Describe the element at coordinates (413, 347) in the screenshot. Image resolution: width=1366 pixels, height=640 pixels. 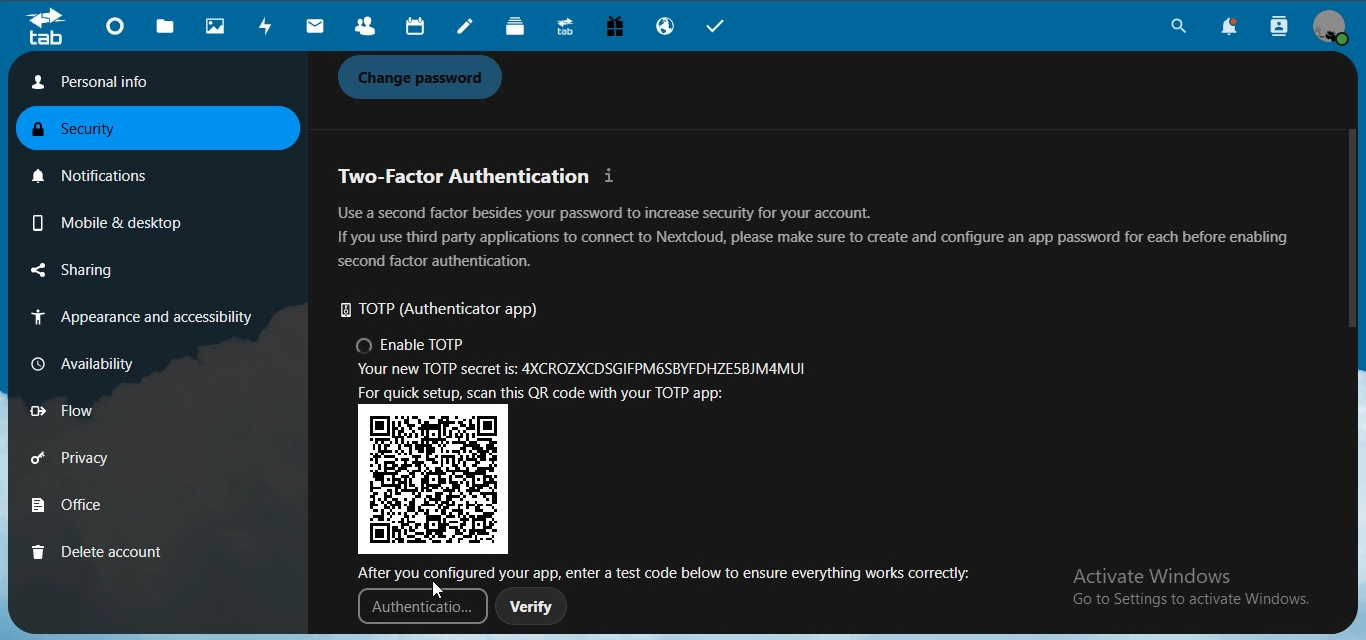
I see `enable TOTP` at that location.